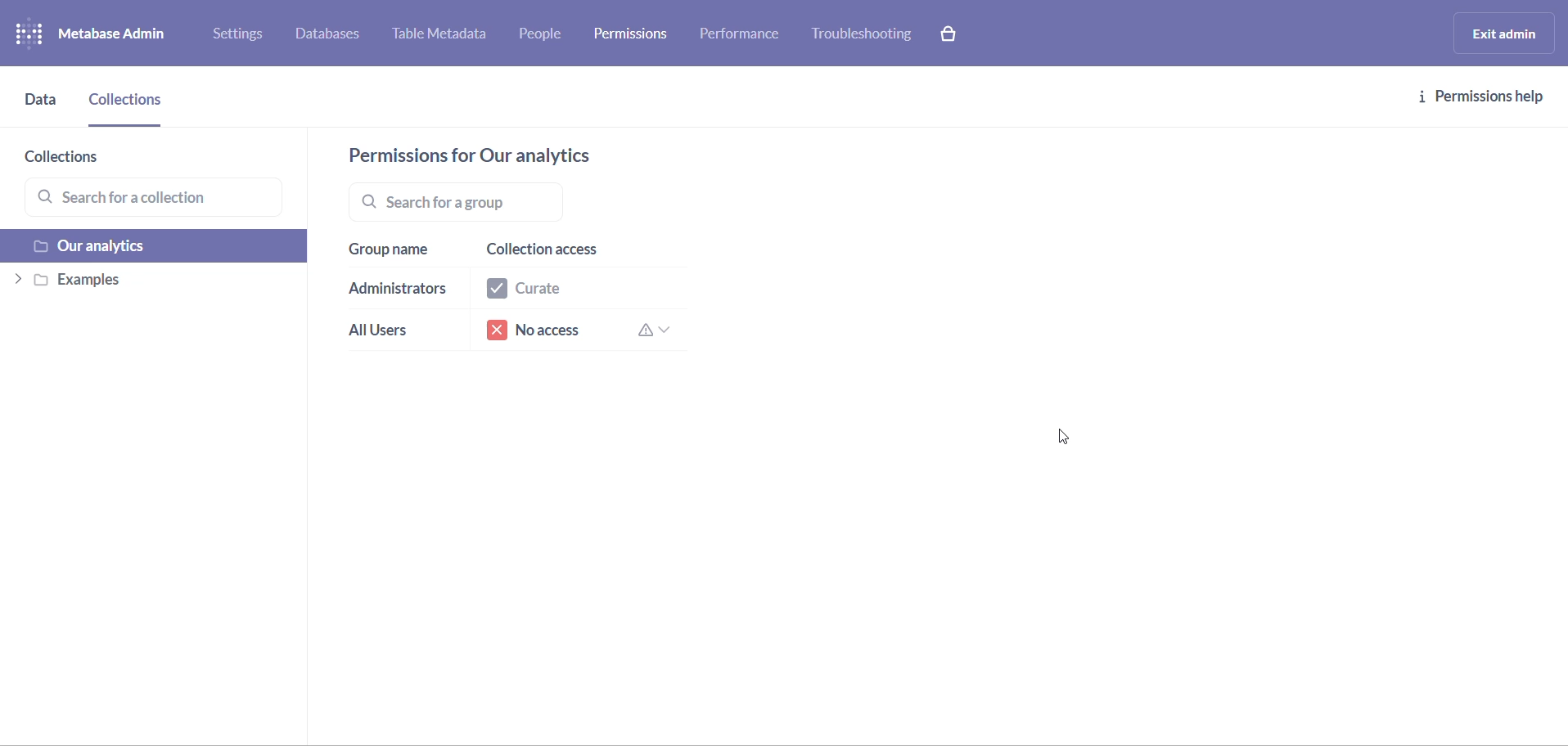 The image size is (1568, 746). I want to click on exit admin, so click(1501, 33).